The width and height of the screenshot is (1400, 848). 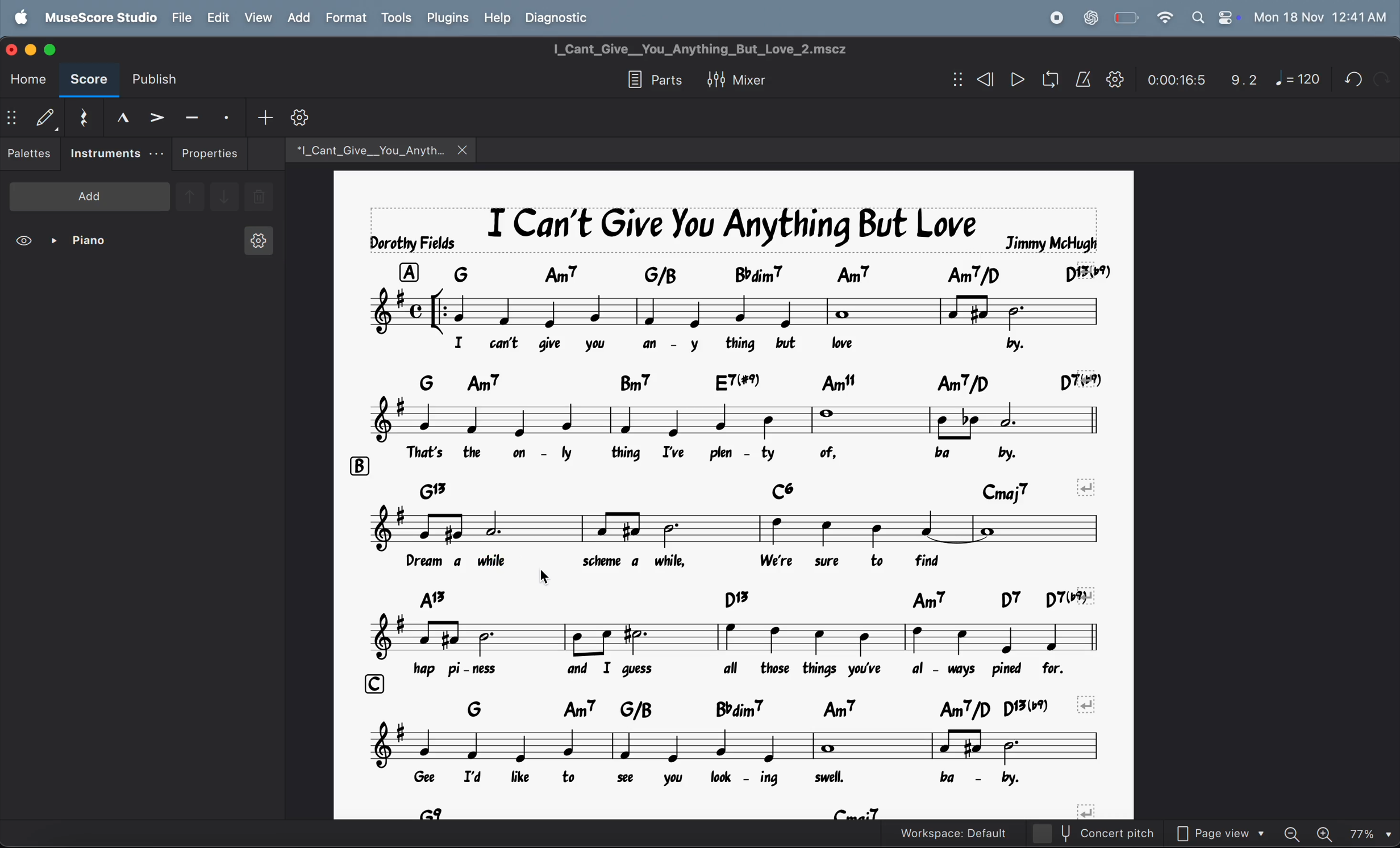 What do you see at coordinates (1351, 79) in the screenshot?
I see `undo` at bounding box center [1351, 79].